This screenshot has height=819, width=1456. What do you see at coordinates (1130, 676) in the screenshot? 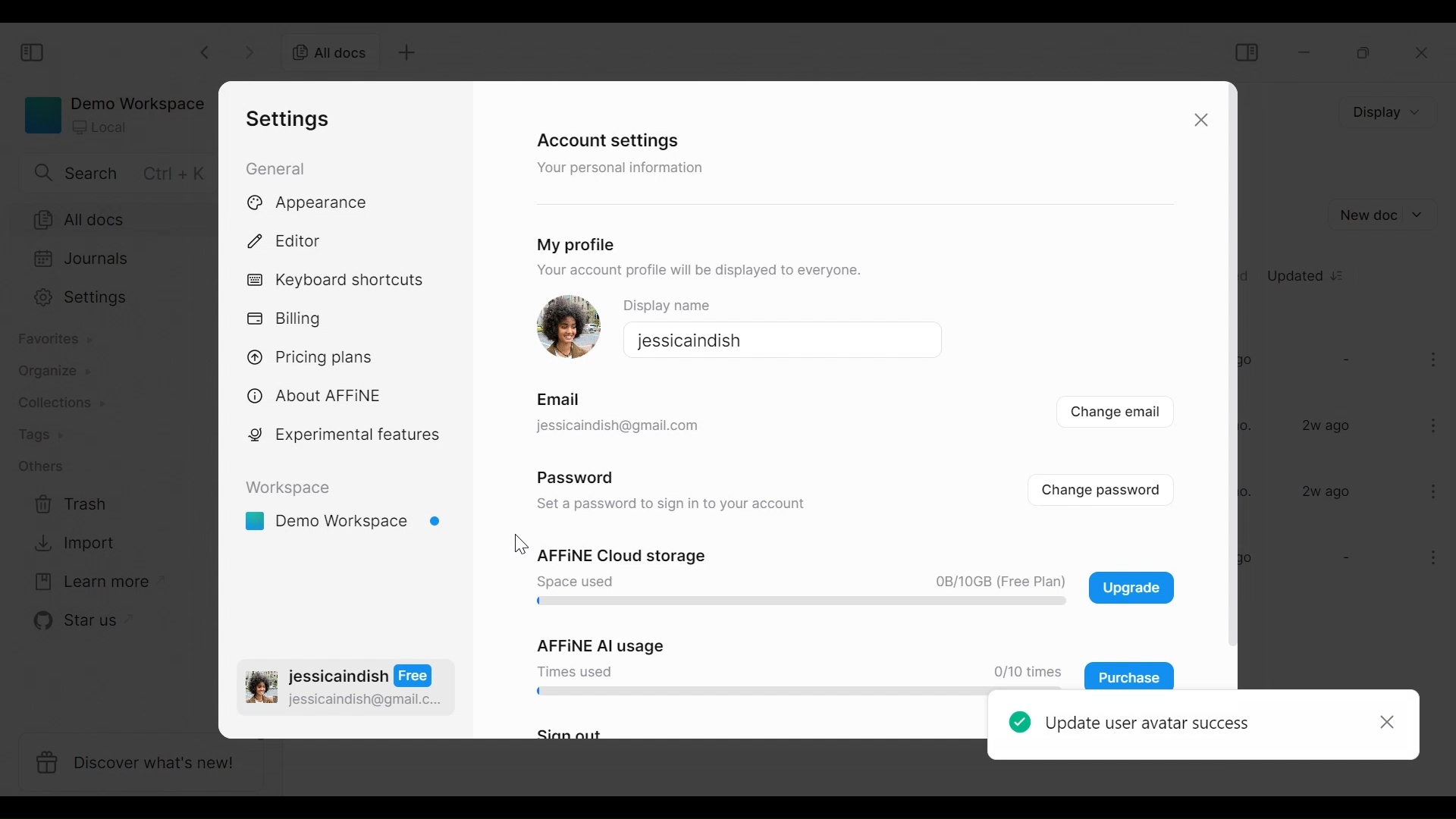
I see `Purchase` at bounding box center [1130, 676].